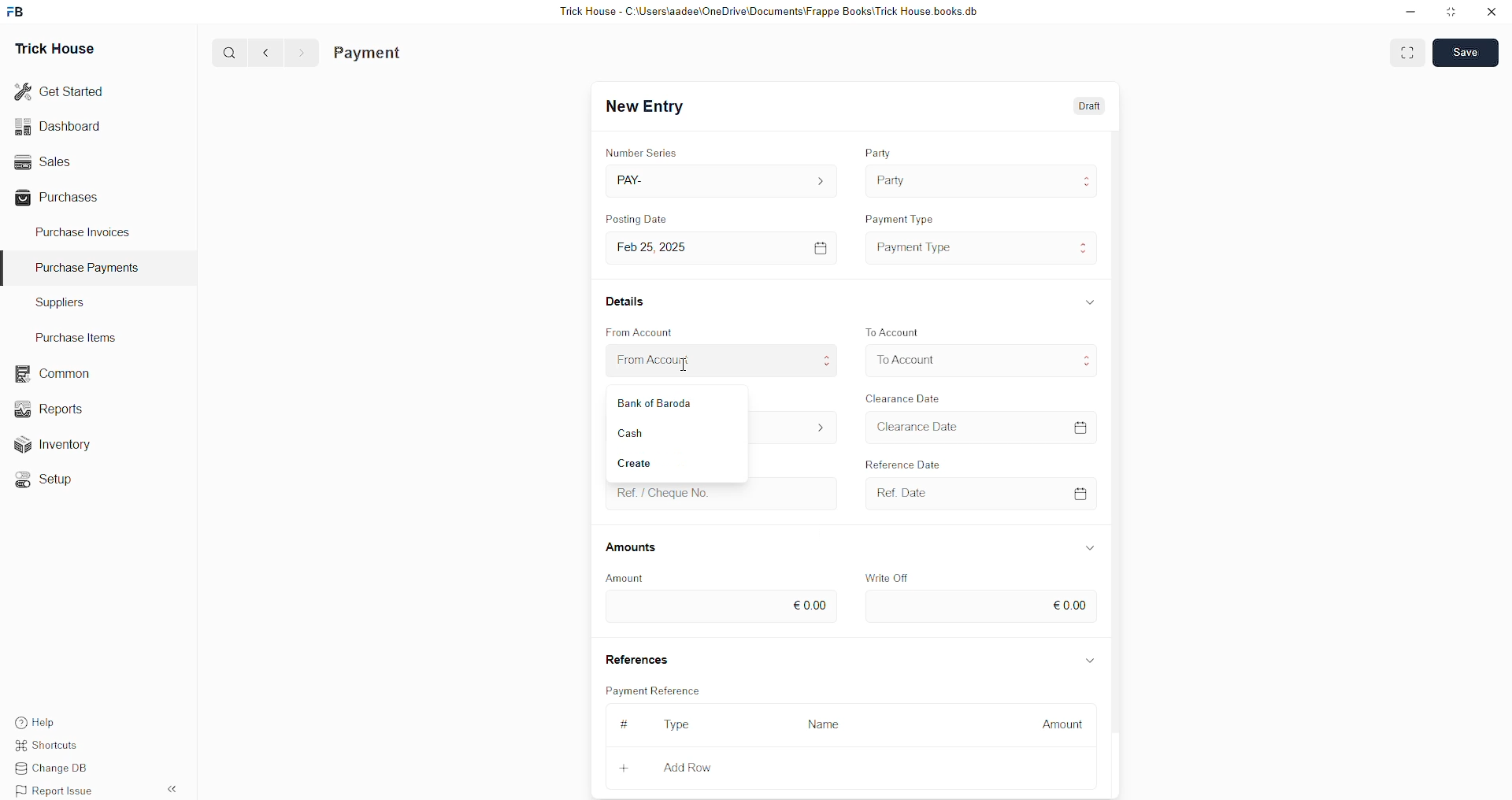 The width and height of the screenshot is (1512, 800). Describe the element at coordinates (895, 492) in the screenshot. I see `Ref Date` at that location.